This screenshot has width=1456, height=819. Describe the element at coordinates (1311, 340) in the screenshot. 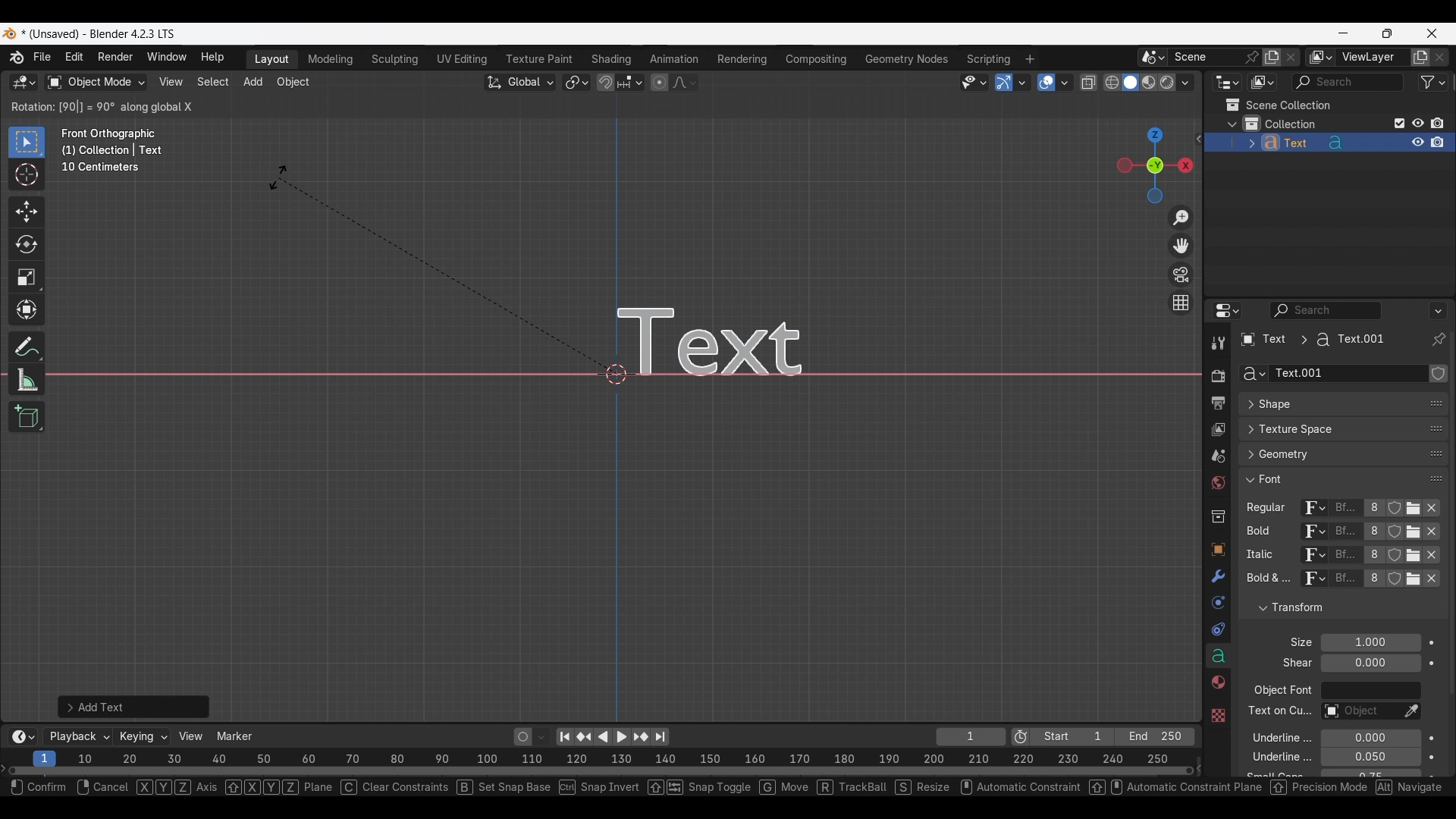

I see `Pathway of current panel changed` at that location.